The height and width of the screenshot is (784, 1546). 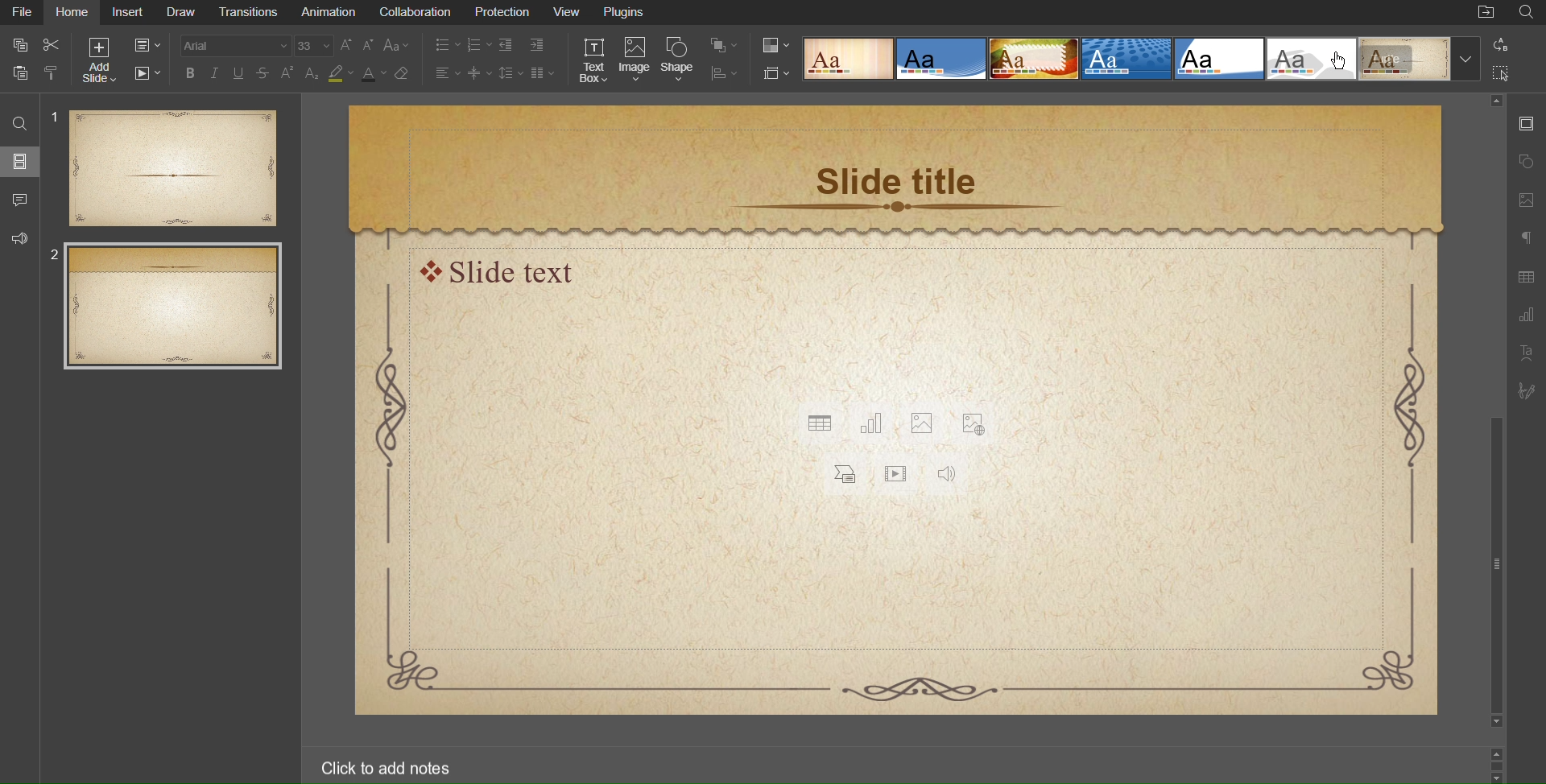 I want to click on Open File Location, so click(x=1486, y=14).